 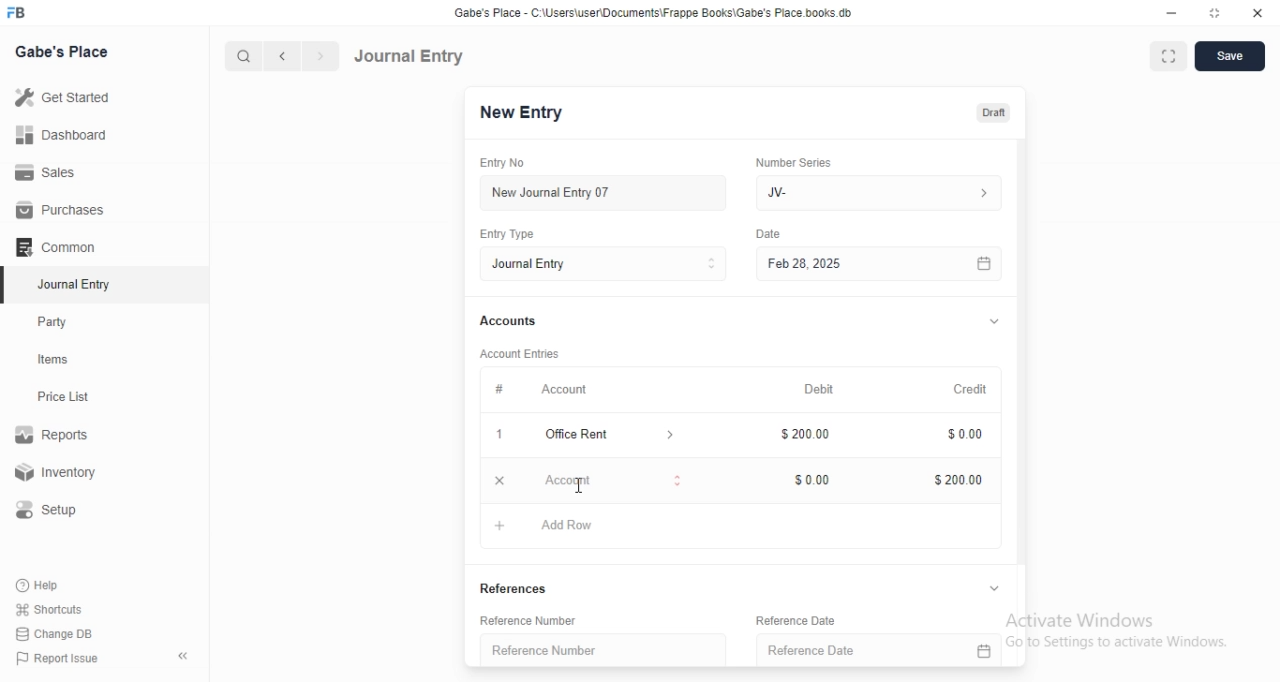 What do you see at coordinates (54, 510) in the screenshot?
I see `Setup` at bounding box center [54, 510].